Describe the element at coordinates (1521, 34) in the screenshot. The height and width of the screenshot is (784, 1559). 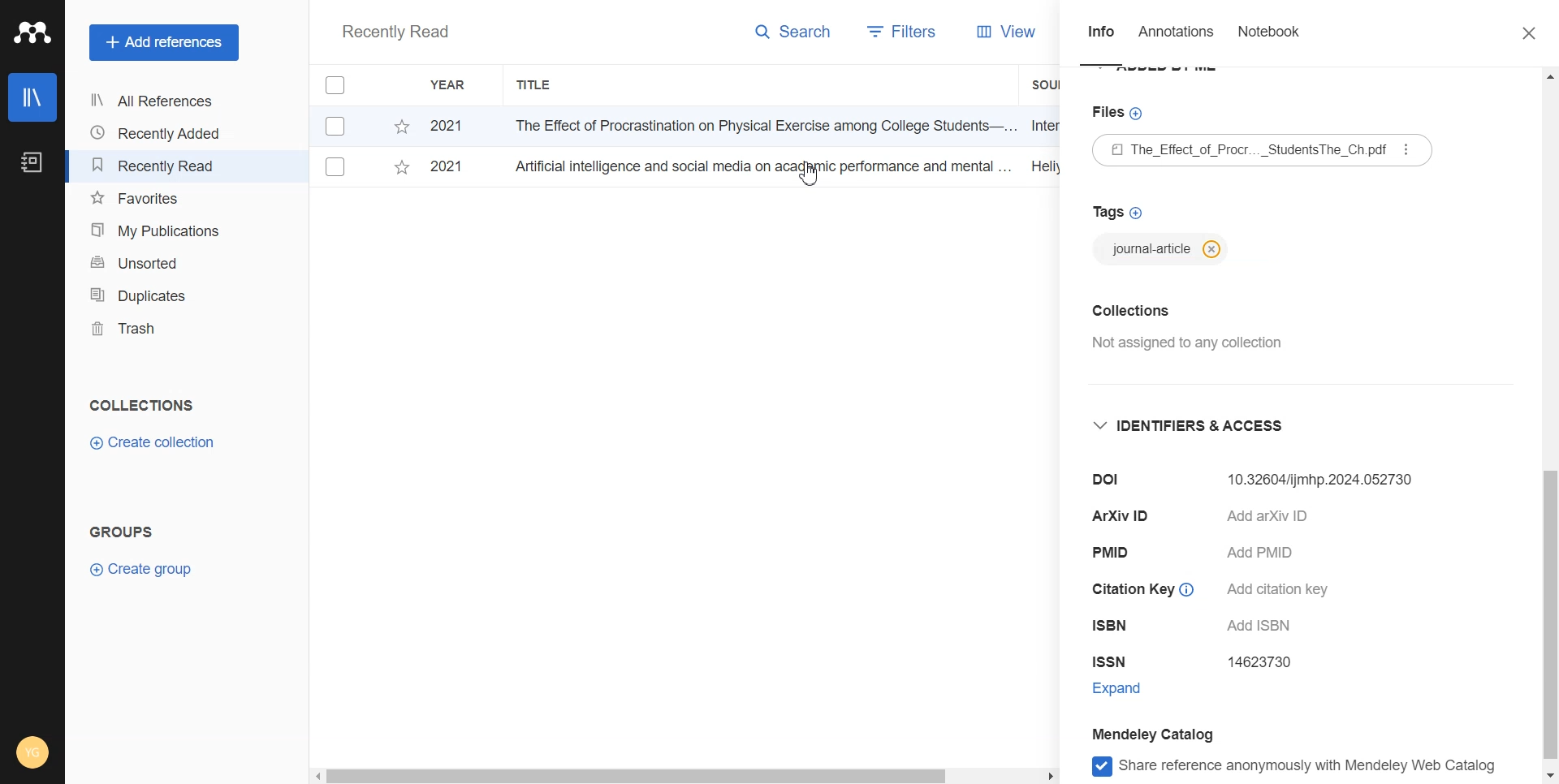
I see `Close ` at that location.